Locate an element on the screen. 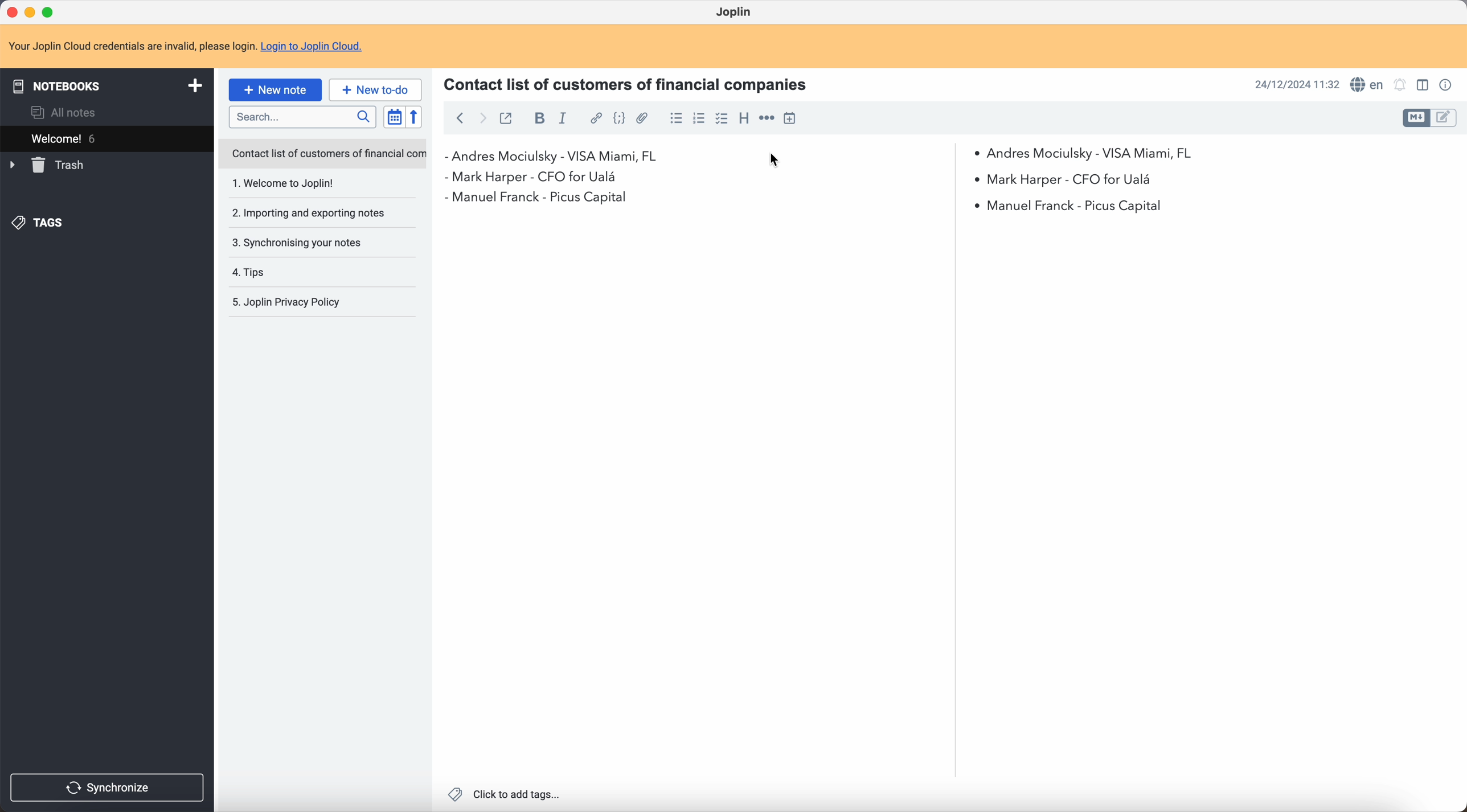 The width and height of the screenshot is (1467, 812). italic is located at coordinates (563, 120).